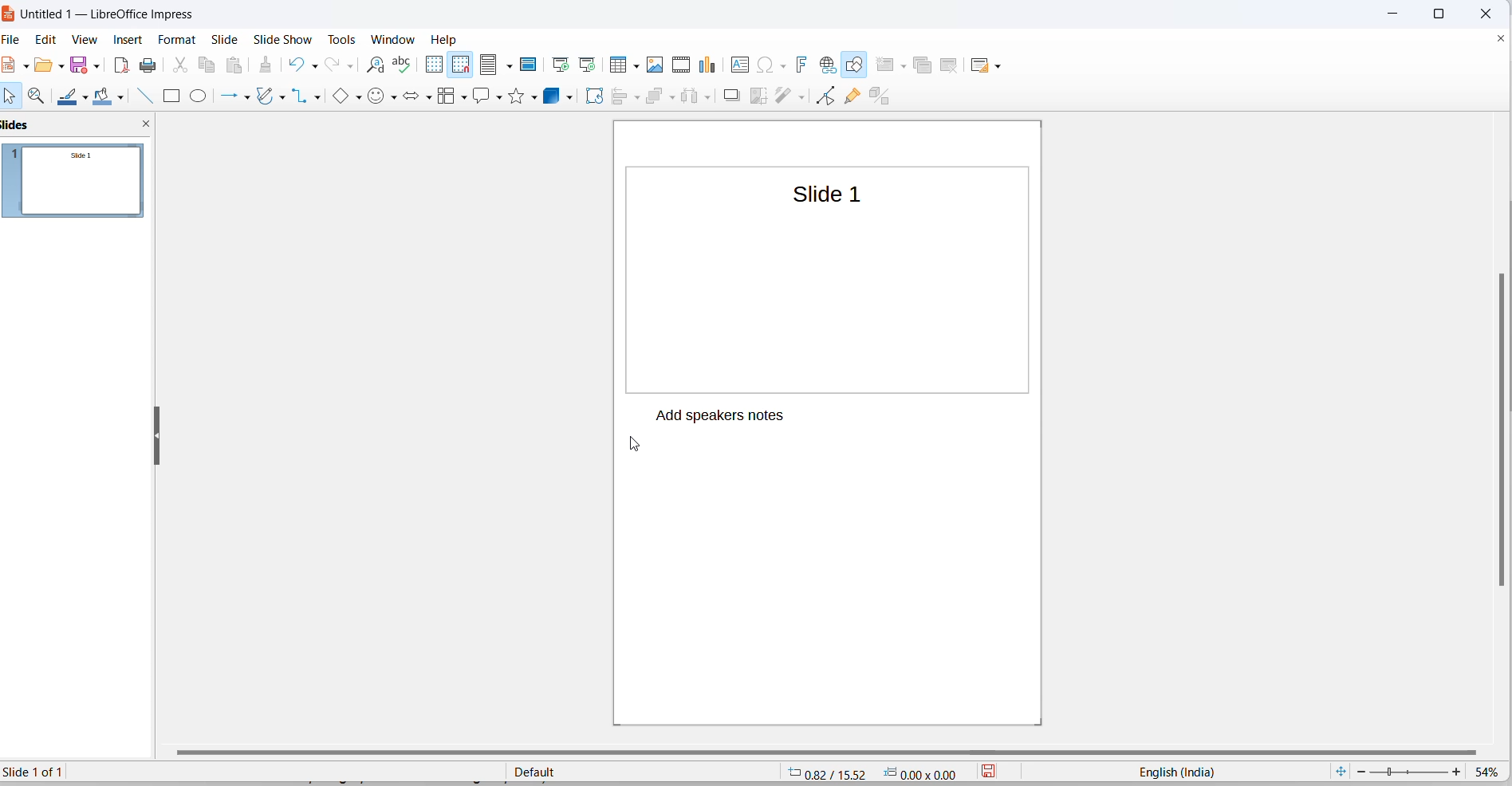 This screenshot has height=786, width=1512. What do you see at coordinates (820, 194) in the screenshot?
I see `slide title` at bounding box center [820, 194].